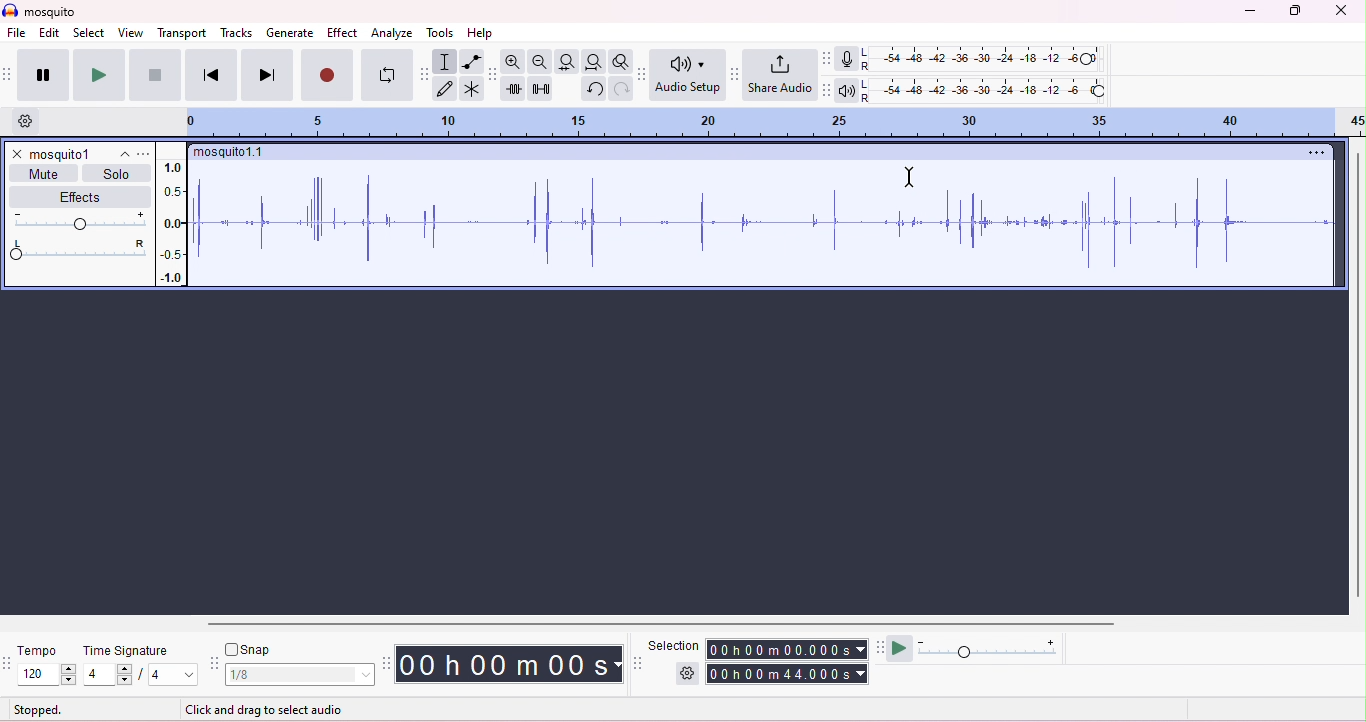  Describe the element at coordinates (248, 649) in the screenshot. I see `snap` at that location.